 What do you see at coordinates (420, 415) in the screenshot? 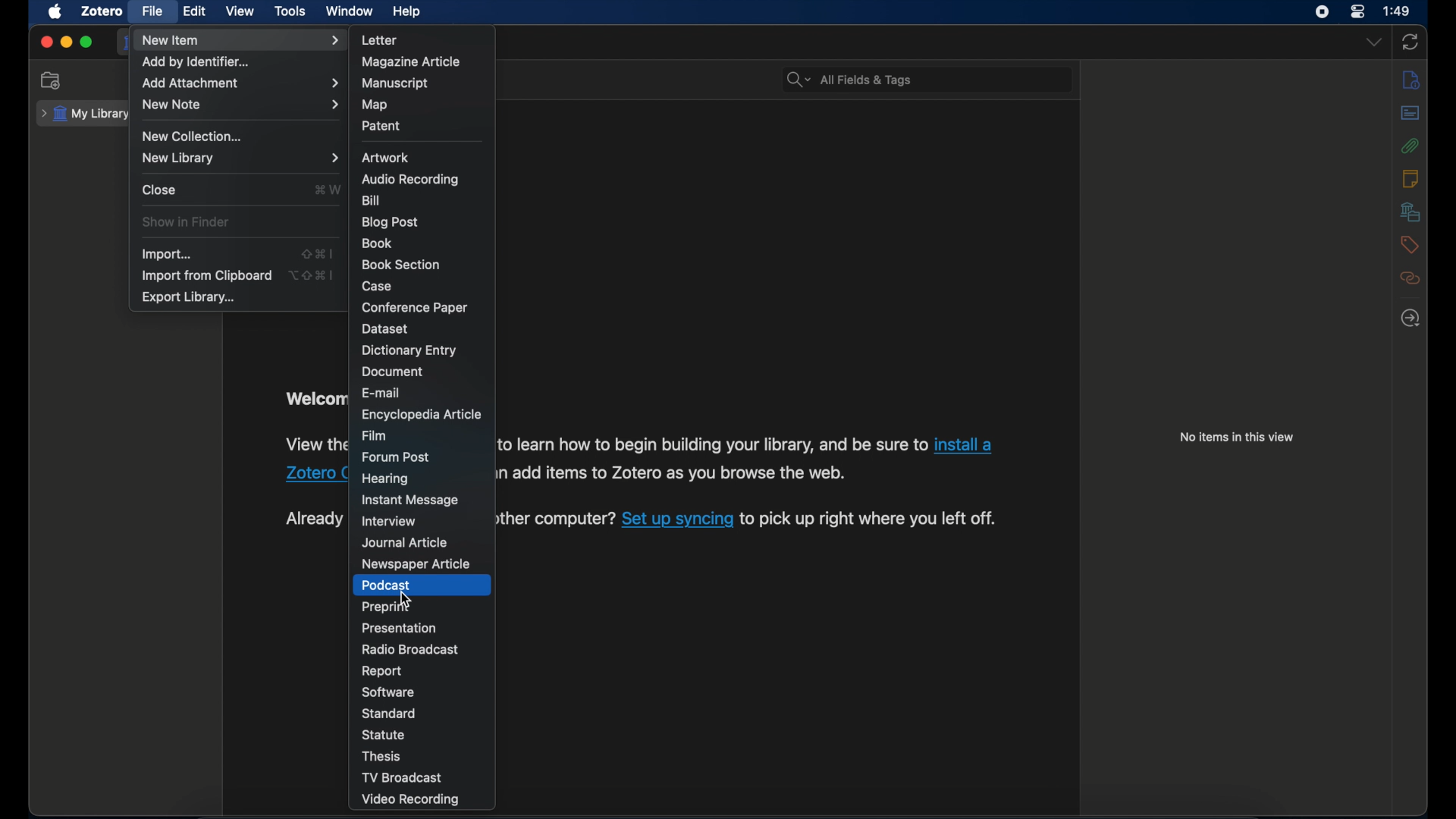
I see `encyclopedia article` at bounding box center [420, 415].